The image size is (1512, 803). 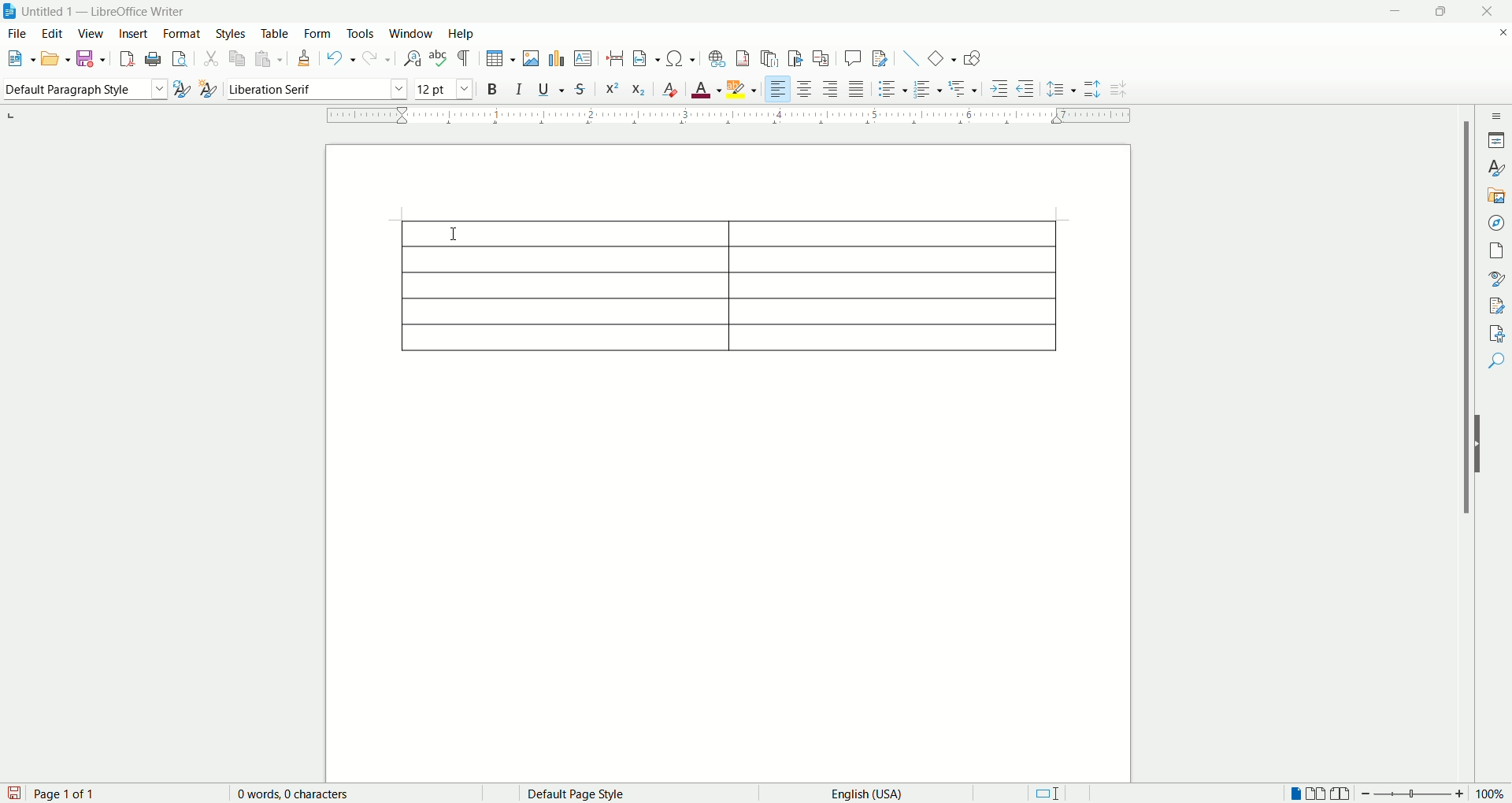 I want to click on insert footnote, so click(x=746, y=57).